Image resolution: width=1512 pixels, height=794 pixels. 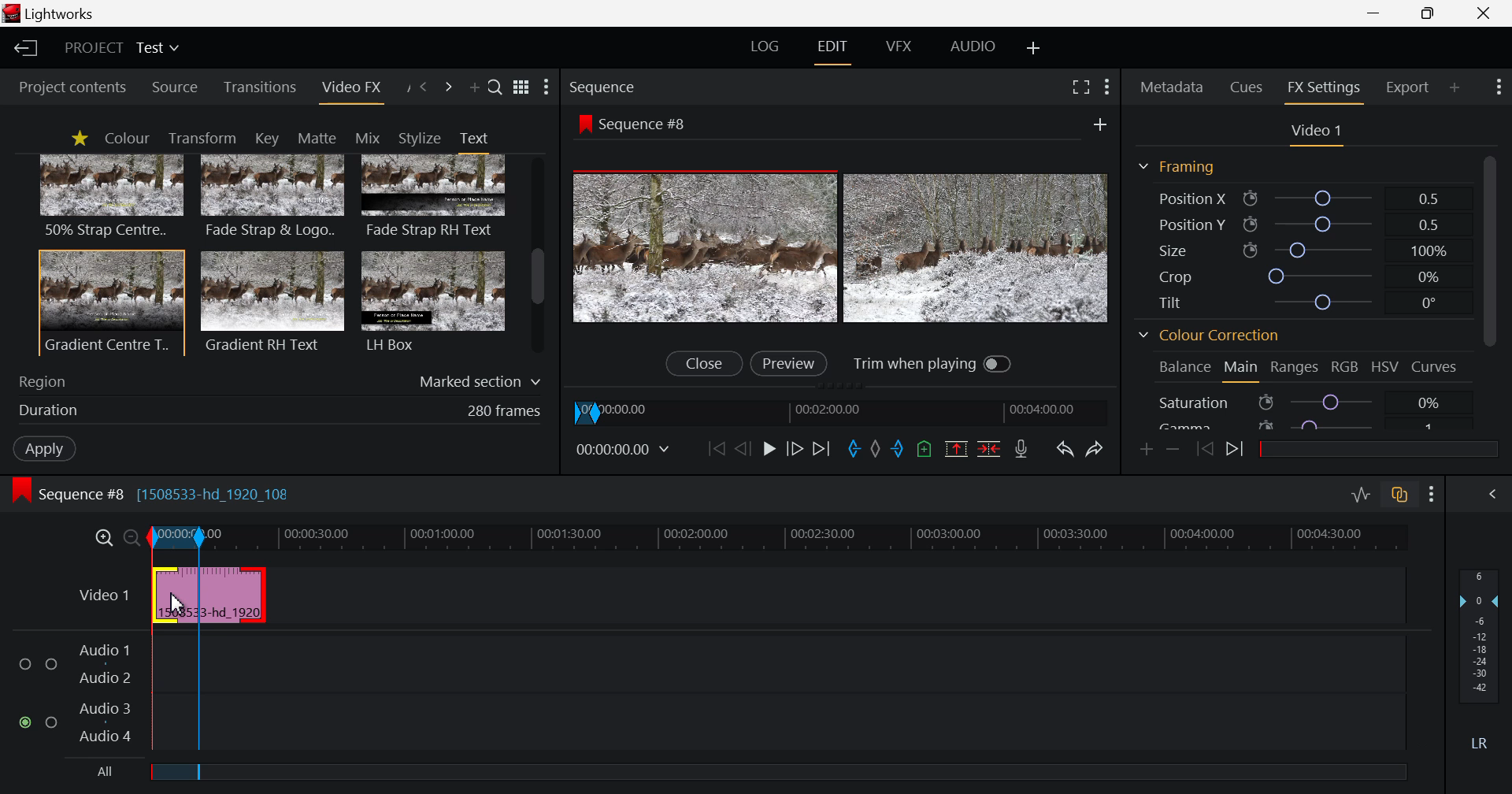 I want to click on Sequence Section Heading , so click(x=668, y=86).